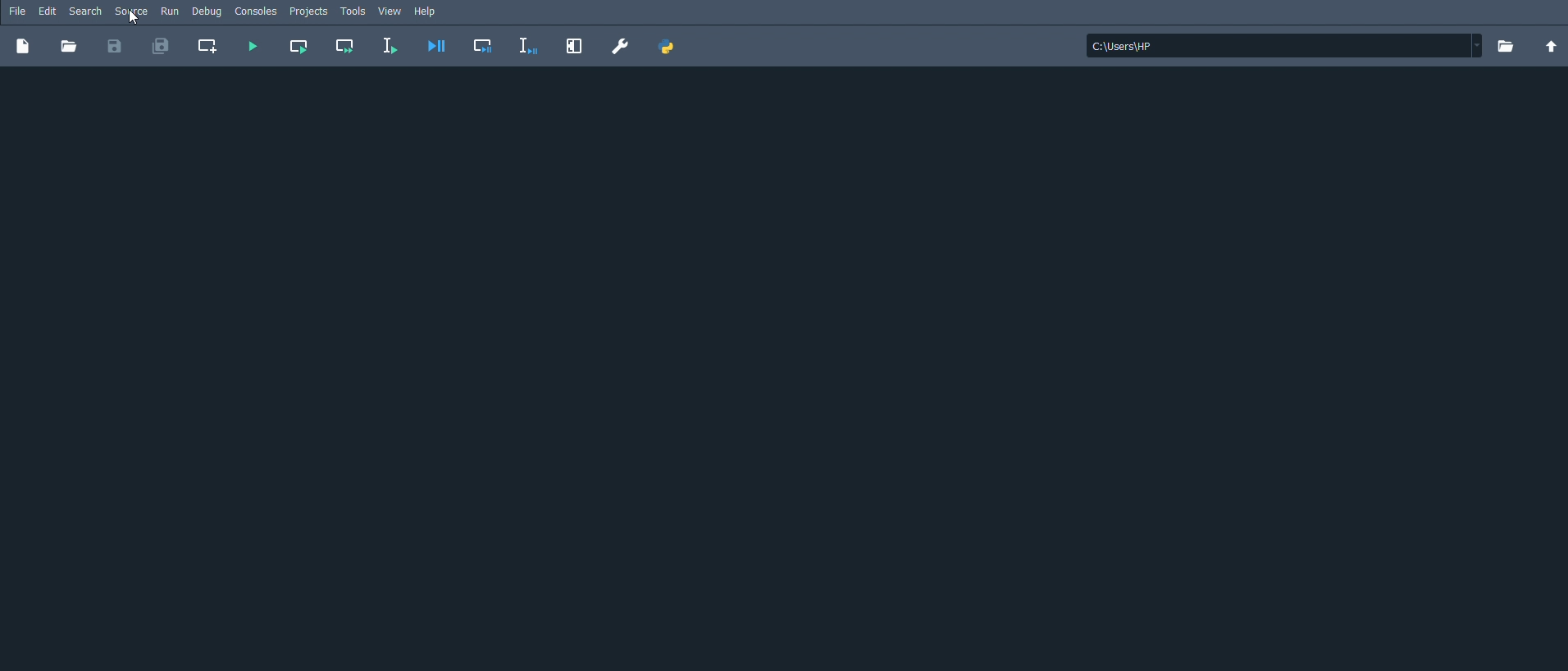 The height and width of the screenshot is (671, 1568). I want to click on PYTHONPATH manager, so click(671, 49).